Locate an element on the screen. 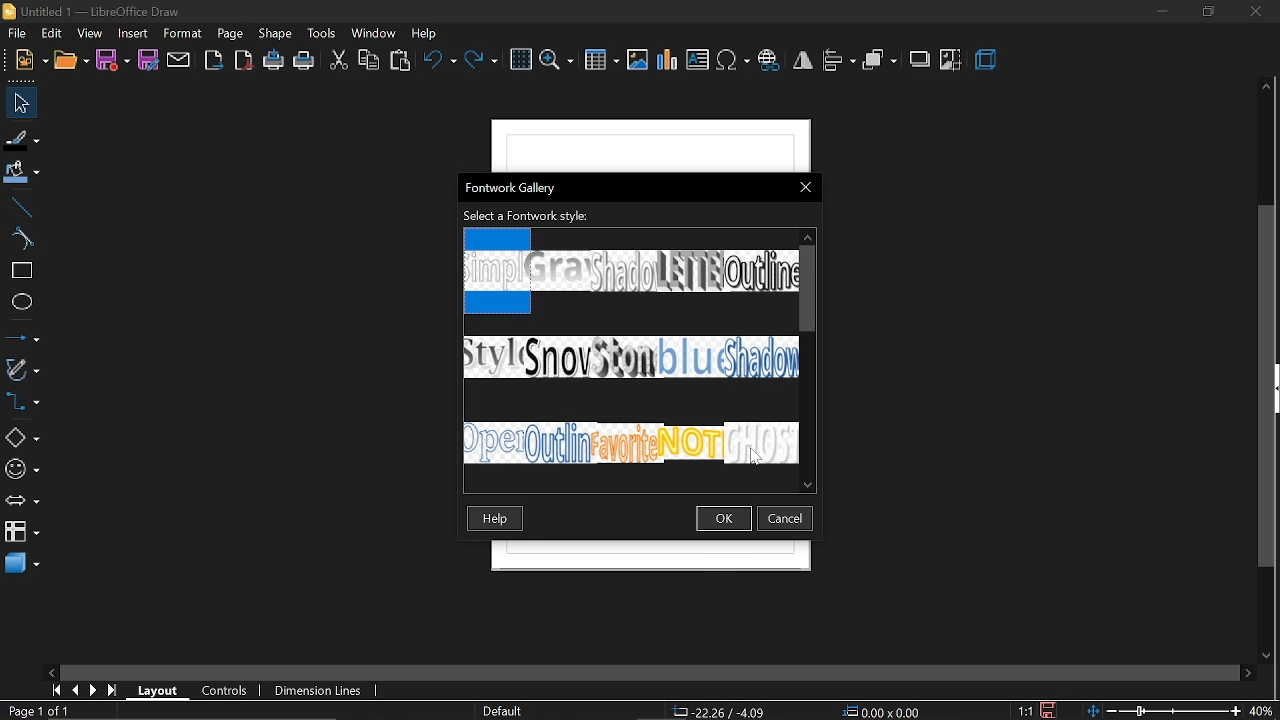 The width and height of the screenshot is (1280, 720). zoom scale is located at coordinates (1163, 711).